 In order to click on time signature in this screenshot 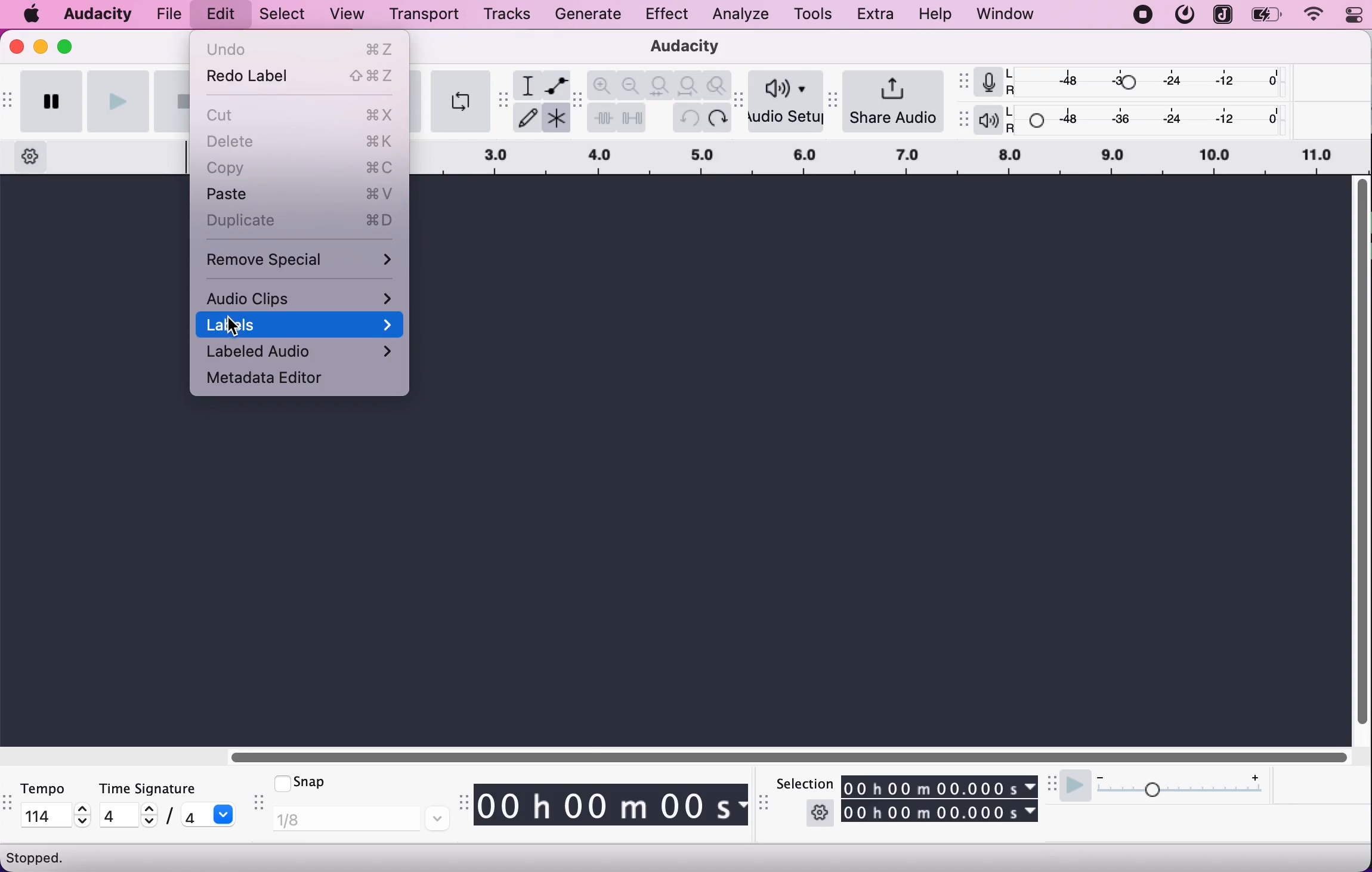, I will do `click(169, 788)`.